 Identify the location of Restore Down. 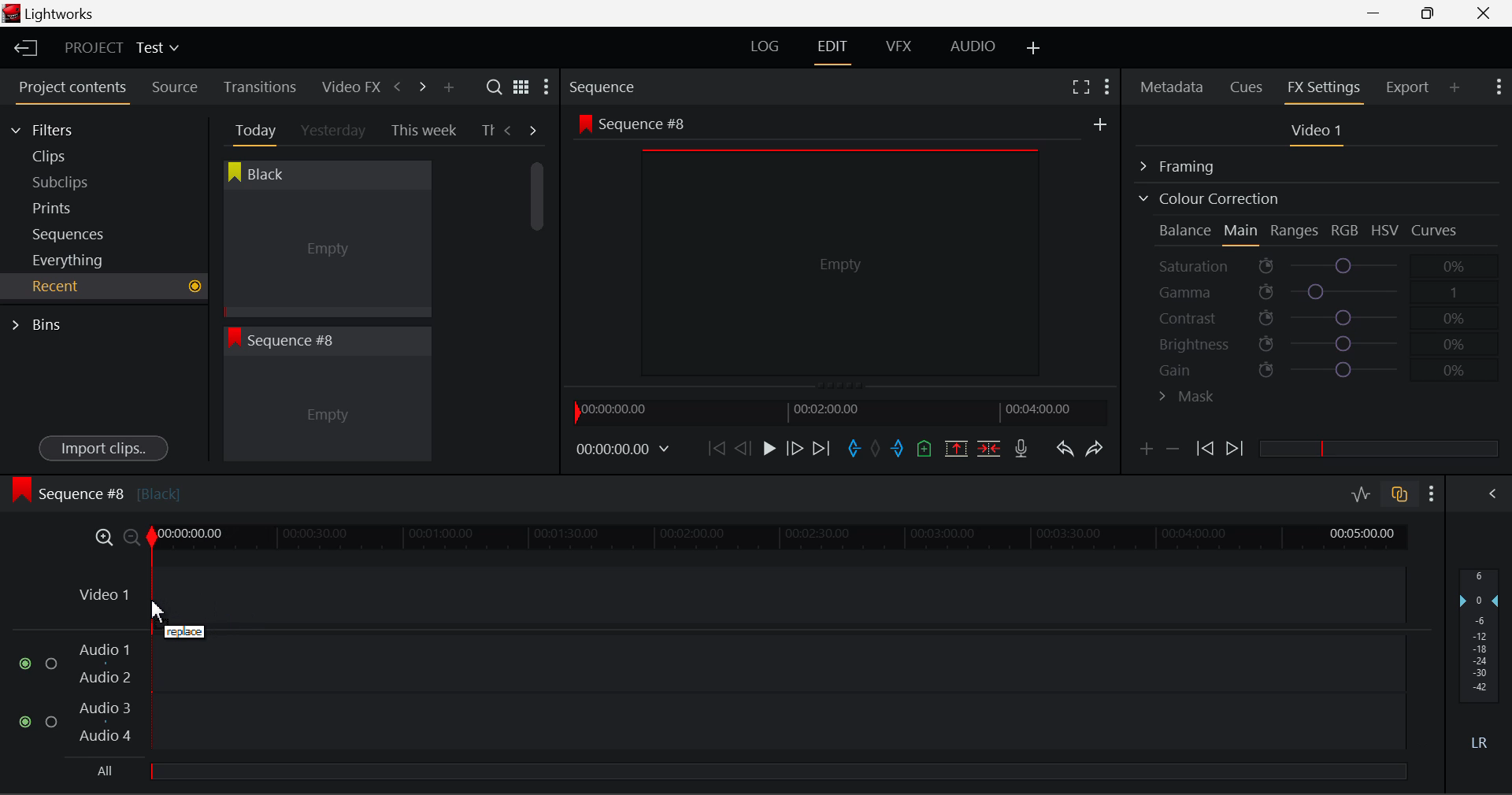
(1379, 13).